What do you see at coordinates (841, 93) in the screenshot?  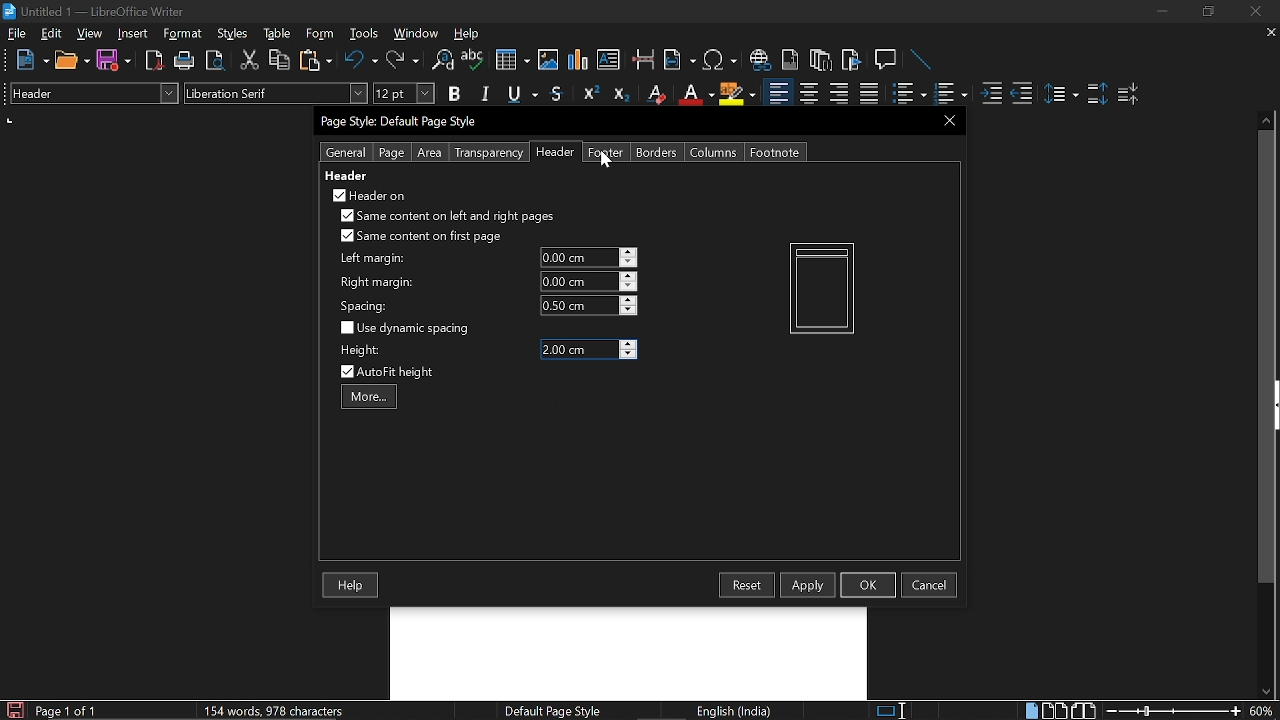 I see `Align right` at bounding box center [841, 93].